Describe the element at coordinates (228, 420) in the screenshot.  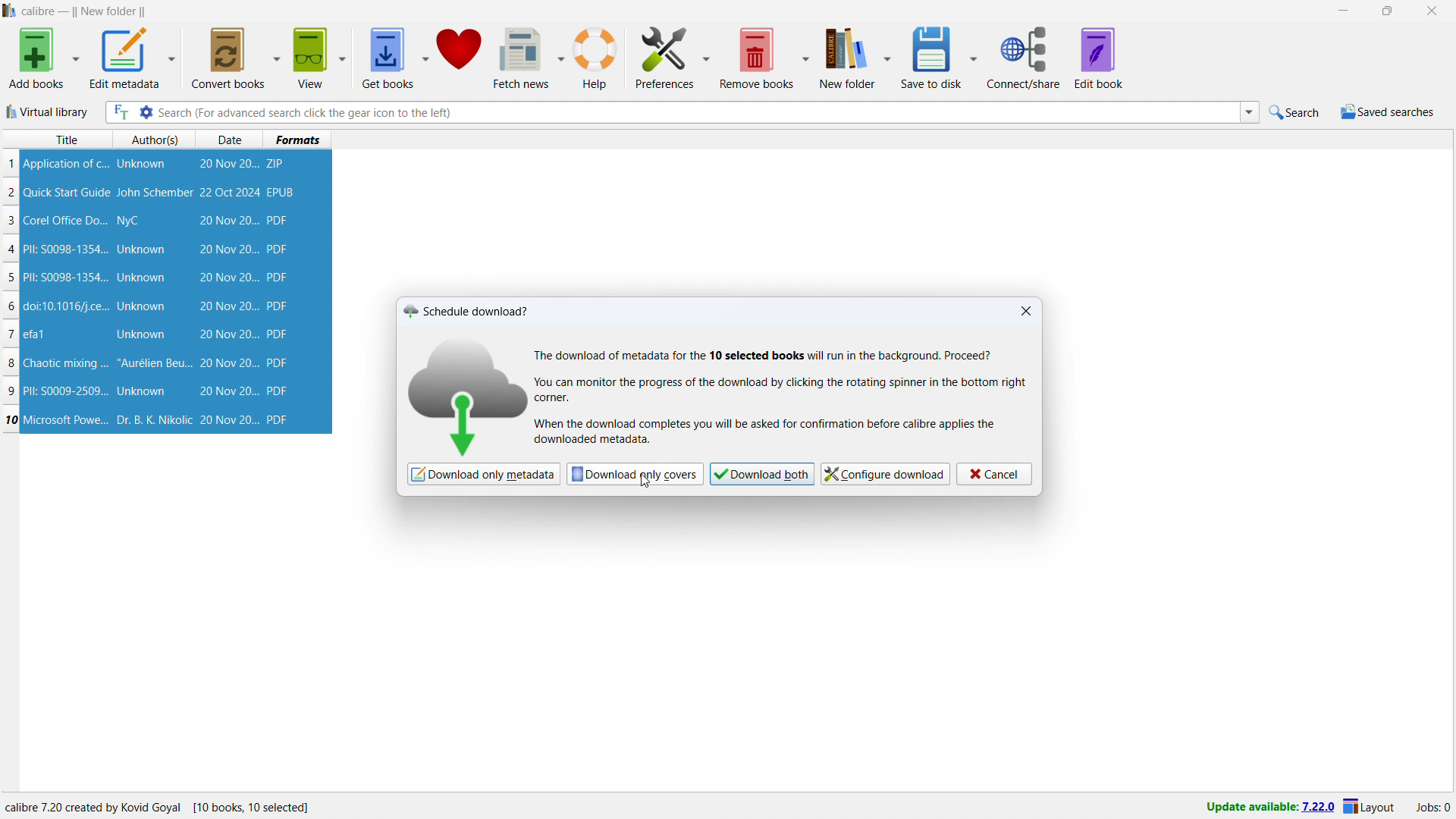
I see `20 Nov 20...` at that location.